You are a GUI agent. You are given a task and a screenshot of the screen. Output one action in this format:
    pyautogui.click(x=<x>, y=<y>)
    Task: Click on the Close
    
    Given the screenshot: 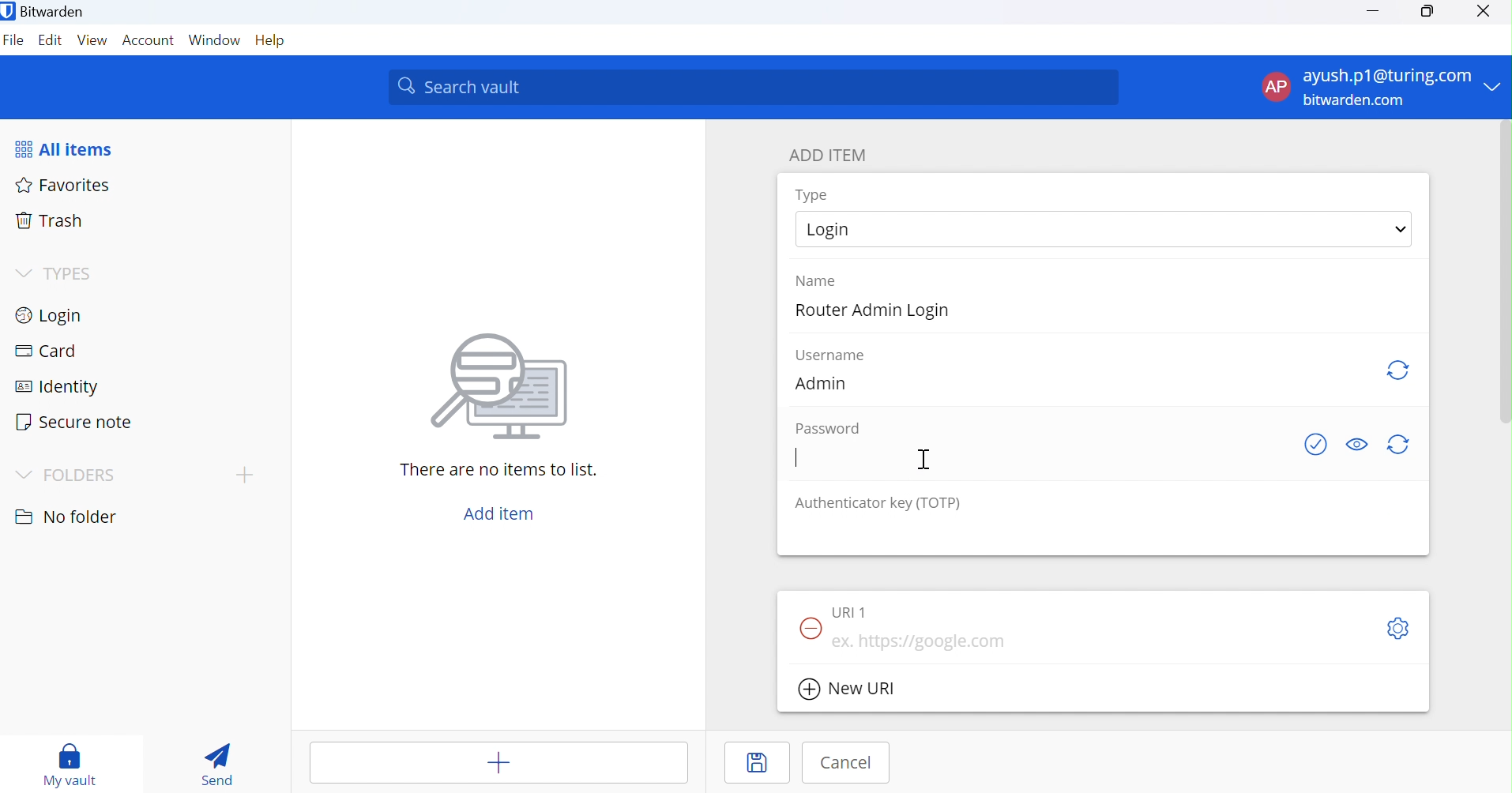 What is the action you would take?
    pyautogui.click(x=1485, y=12)
    